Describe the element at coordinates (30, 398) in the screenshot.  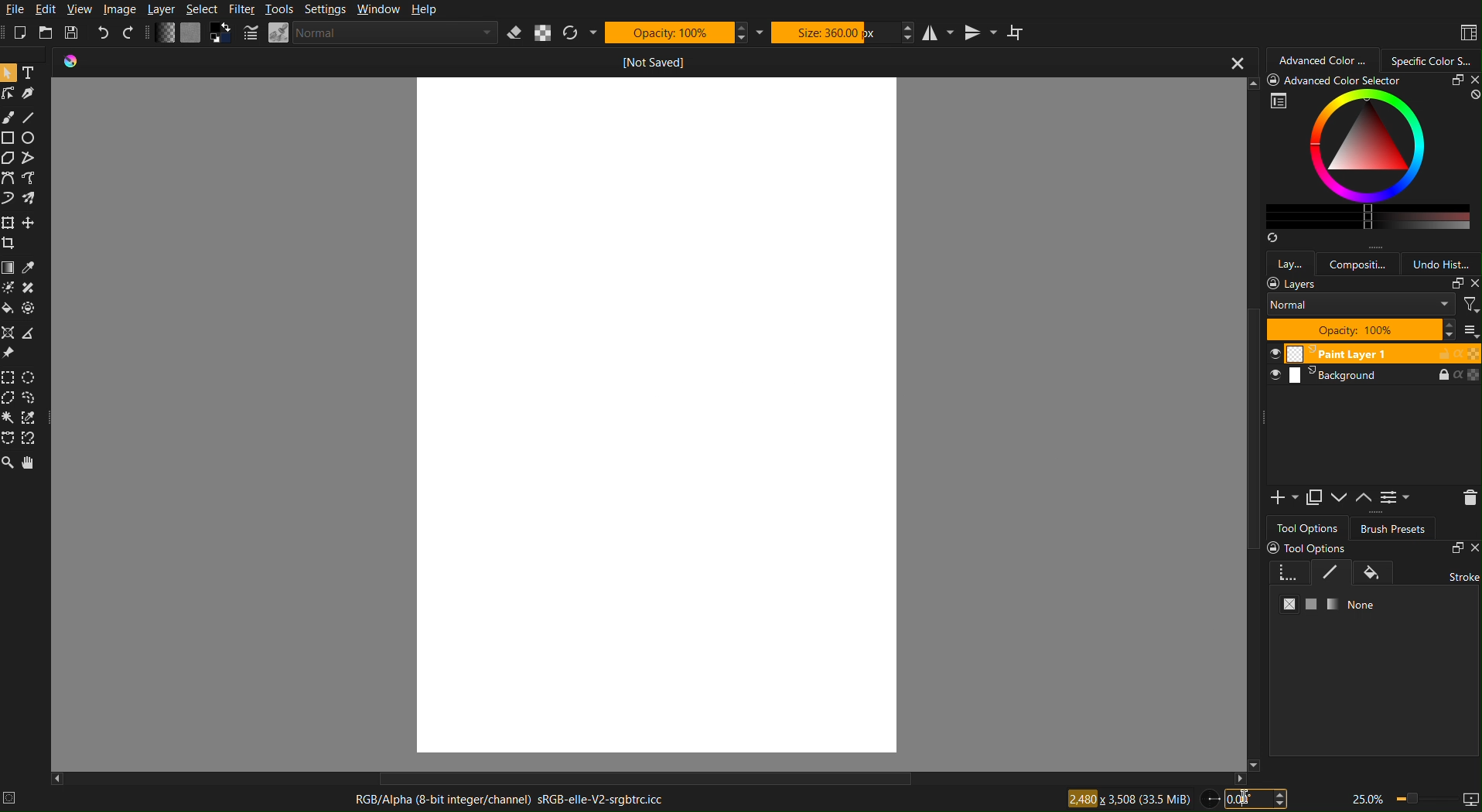
I see `Lasso (Freehand) Selection Tool` at that location.